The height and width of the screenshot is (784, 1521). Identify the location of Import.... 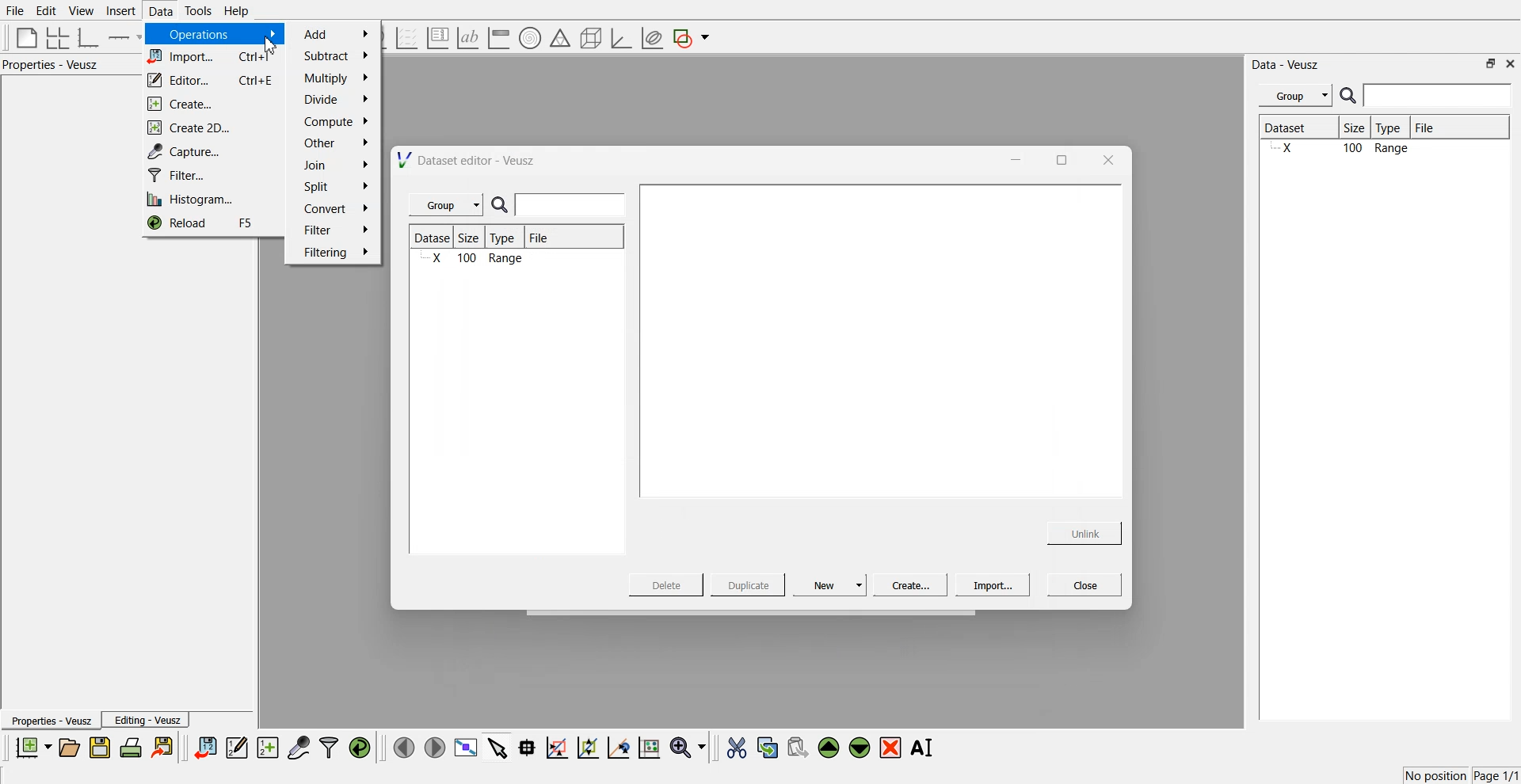
(993, 585).